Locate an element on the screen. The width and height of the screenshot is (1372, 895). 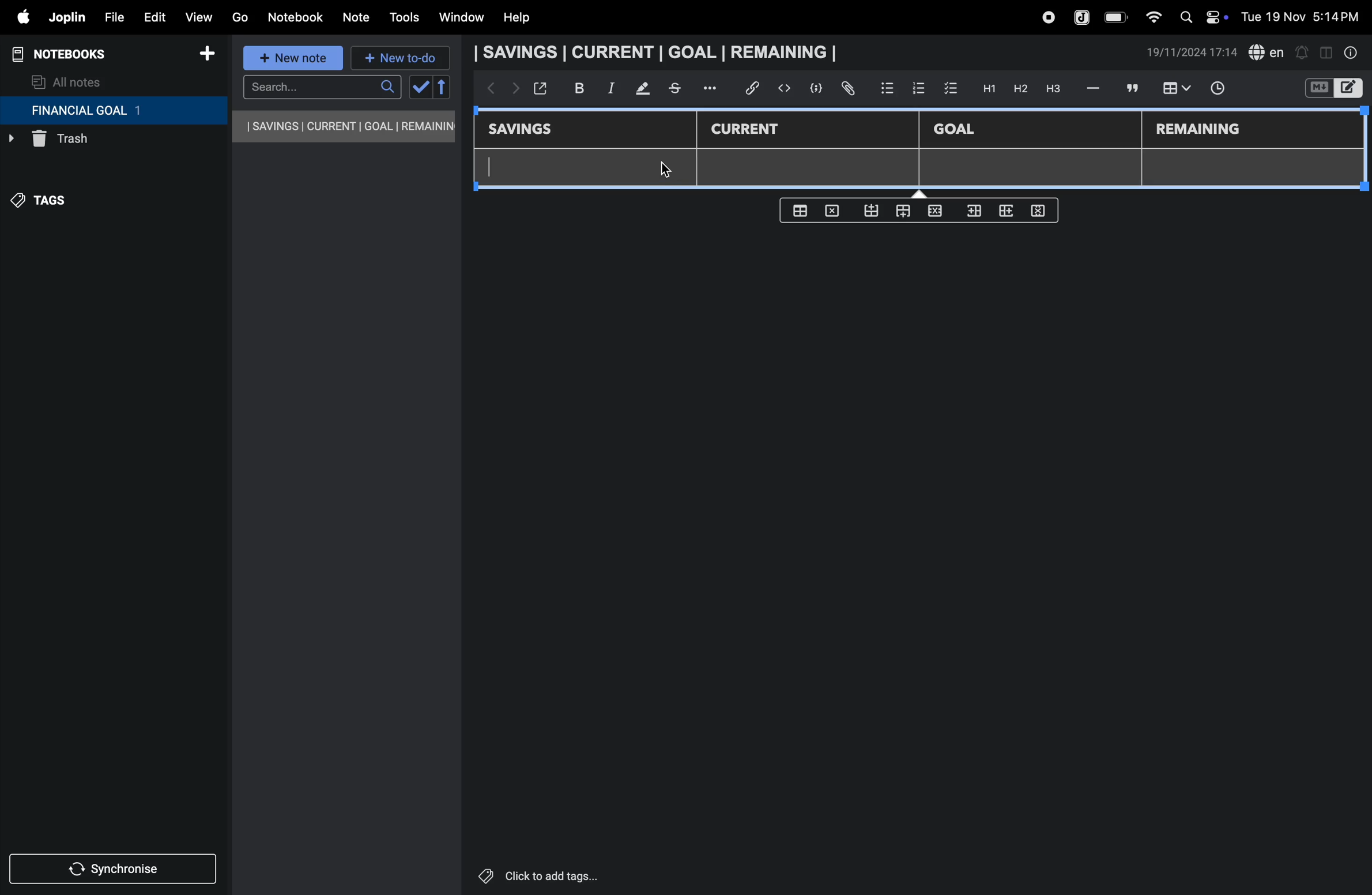
hyper link is located at coordinates (756, 88).